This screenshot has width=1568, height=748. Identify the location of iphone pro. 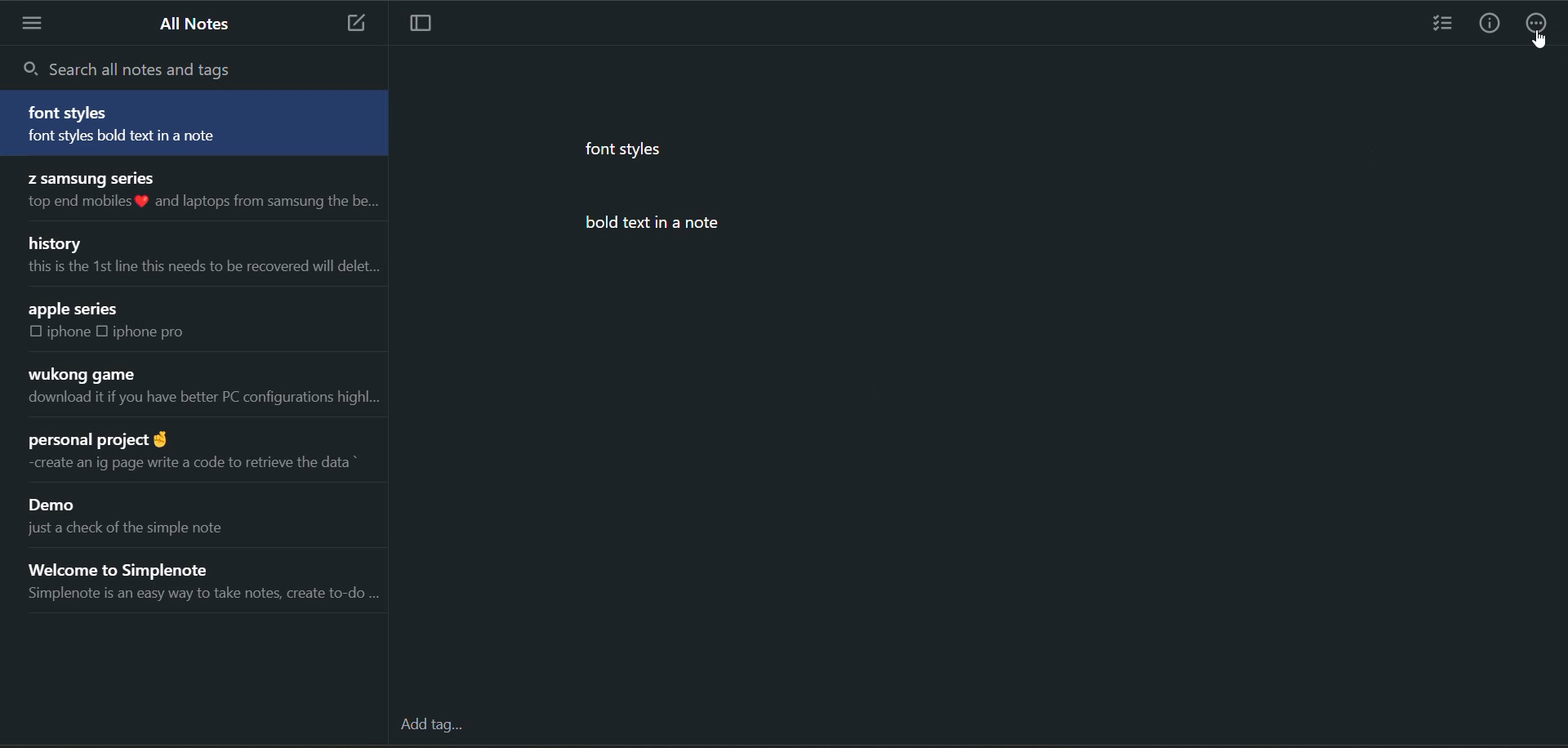
(150, 332).